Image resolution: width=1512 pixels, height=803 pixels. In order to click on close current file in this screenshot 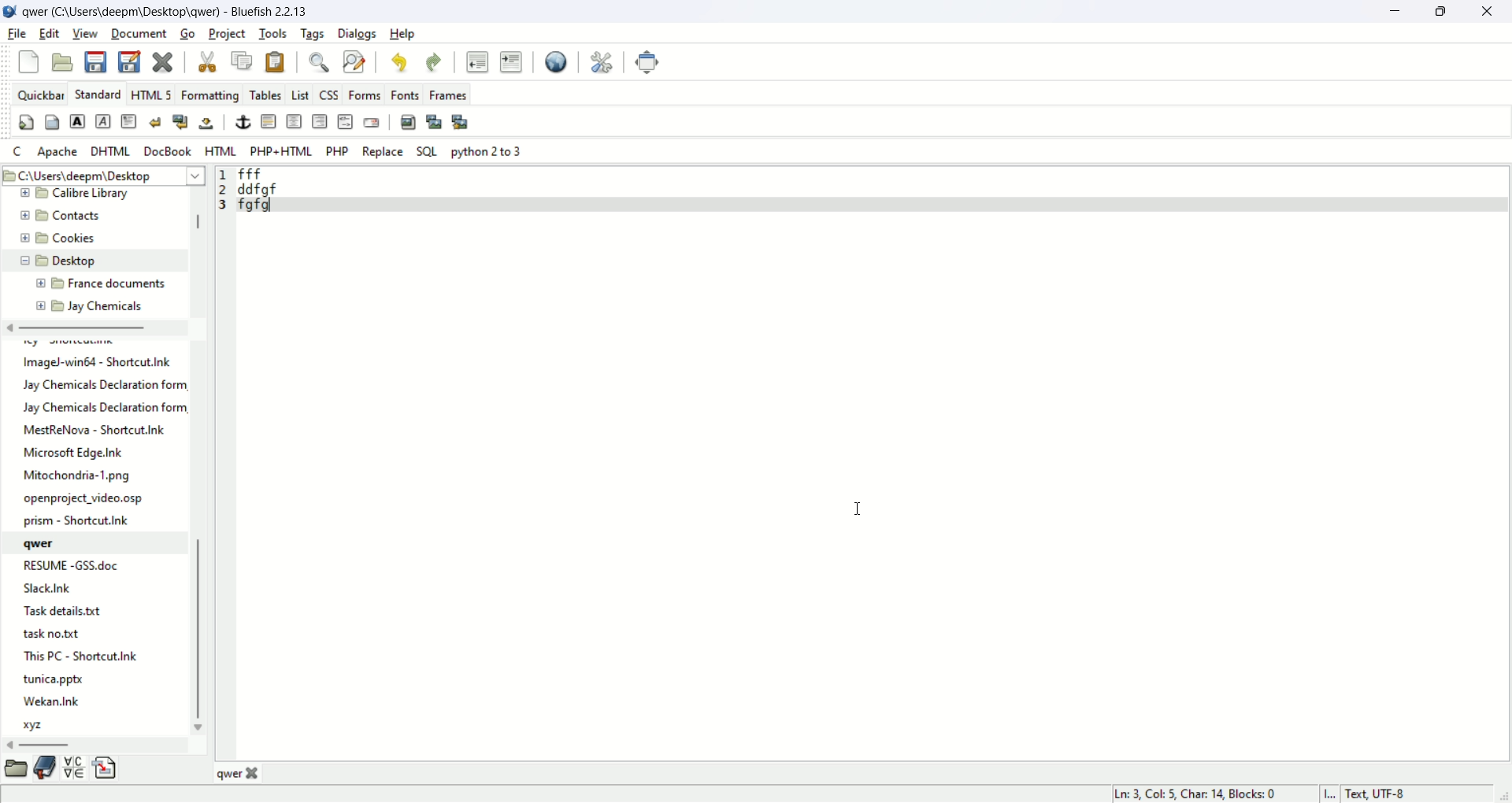, I will do `click(165, 61)`.